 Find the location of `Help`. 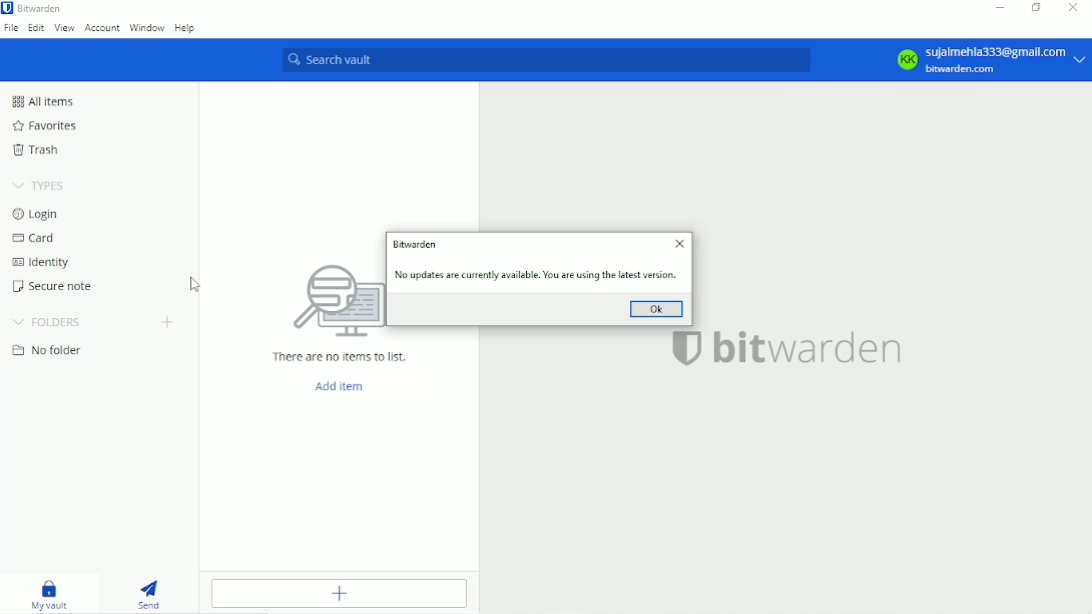

Help is located at coordinates (186, 28).